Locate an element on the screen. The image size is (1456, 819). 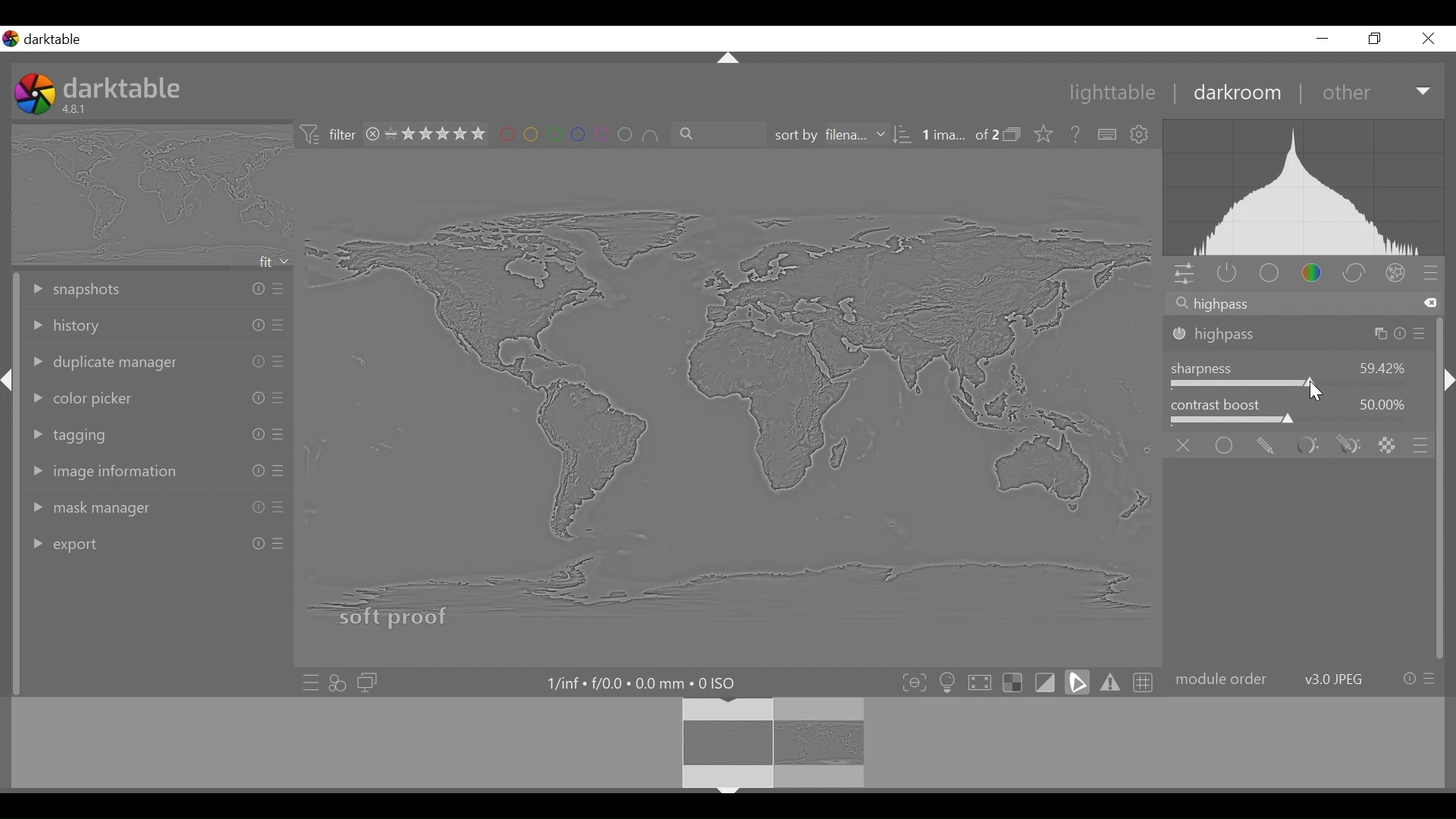
toggle guide lines is located at coordinates (1144, 681).